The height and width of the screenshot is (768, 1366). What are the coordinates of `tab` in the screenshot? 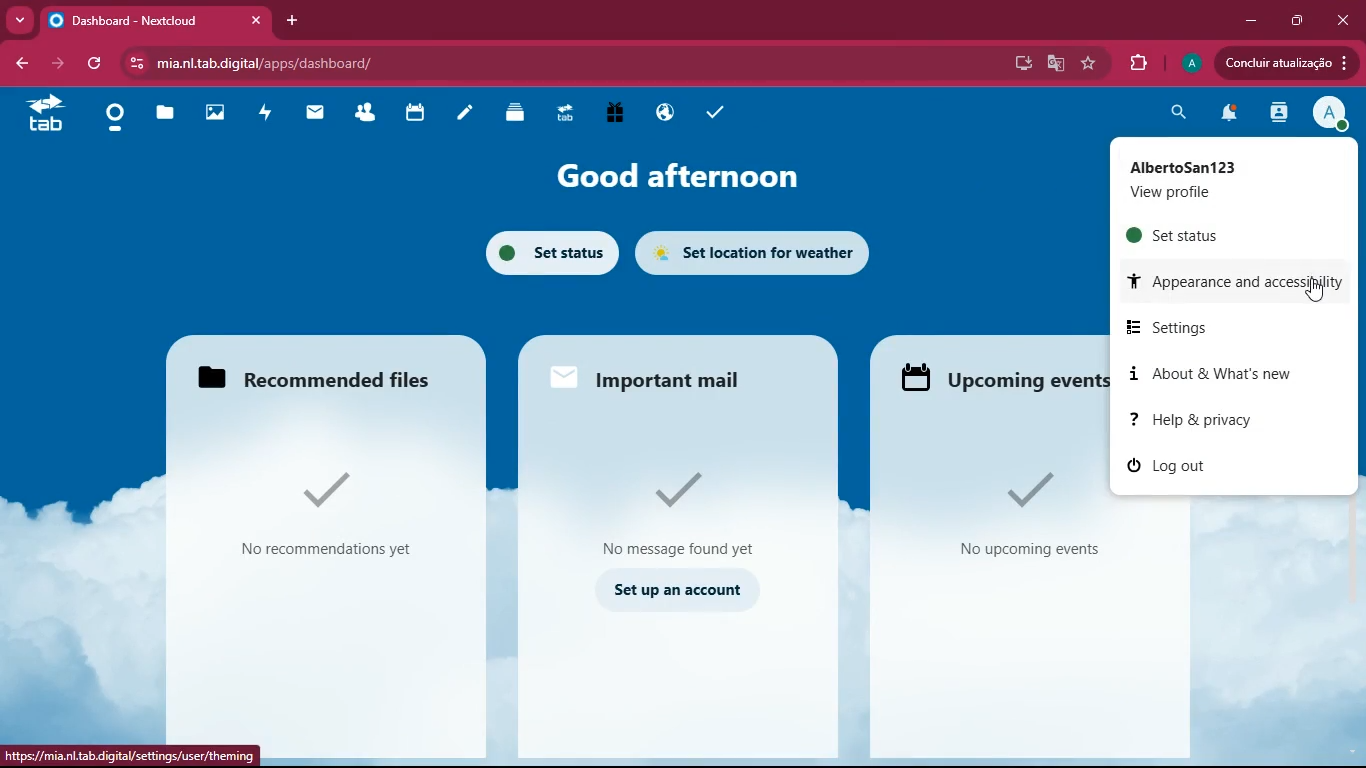 It's located at (141, 22).